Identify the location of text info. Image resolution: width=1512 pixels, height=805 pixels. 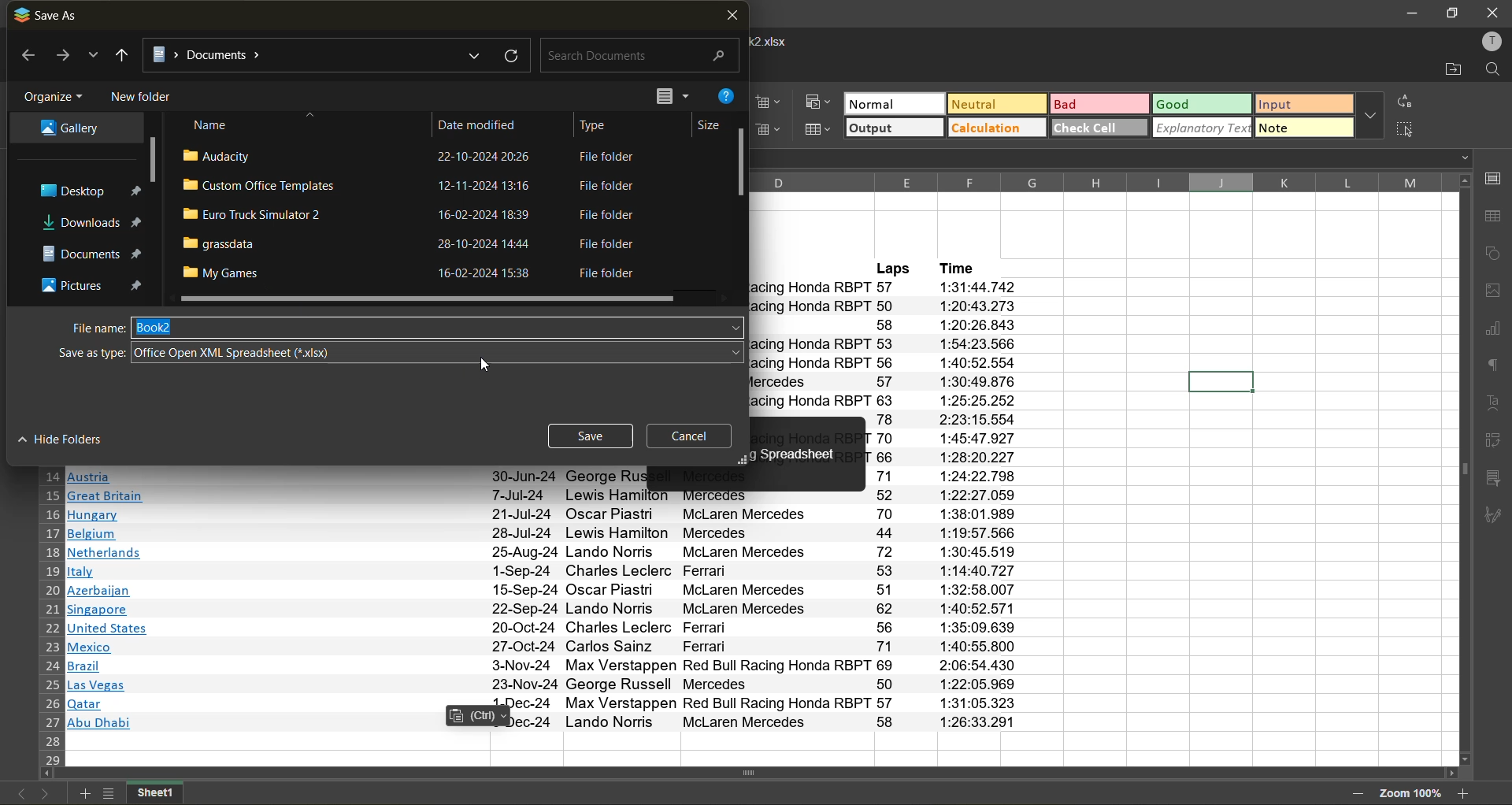
(547, 722).